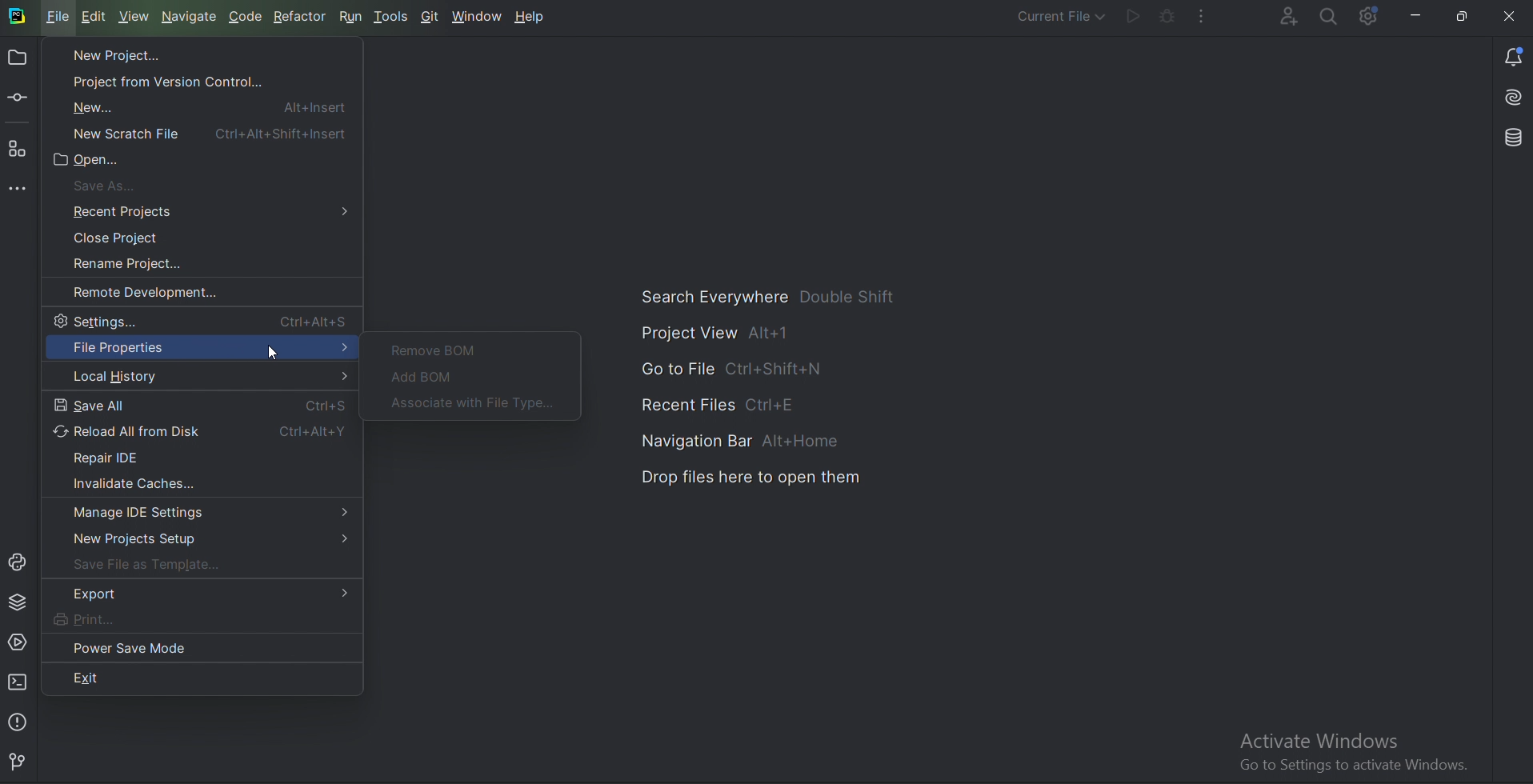 The width and height of the screenshot is (1533, 784). Describe the element at coordinates (430, 16) in the screenshot. I see `Git` at that location.